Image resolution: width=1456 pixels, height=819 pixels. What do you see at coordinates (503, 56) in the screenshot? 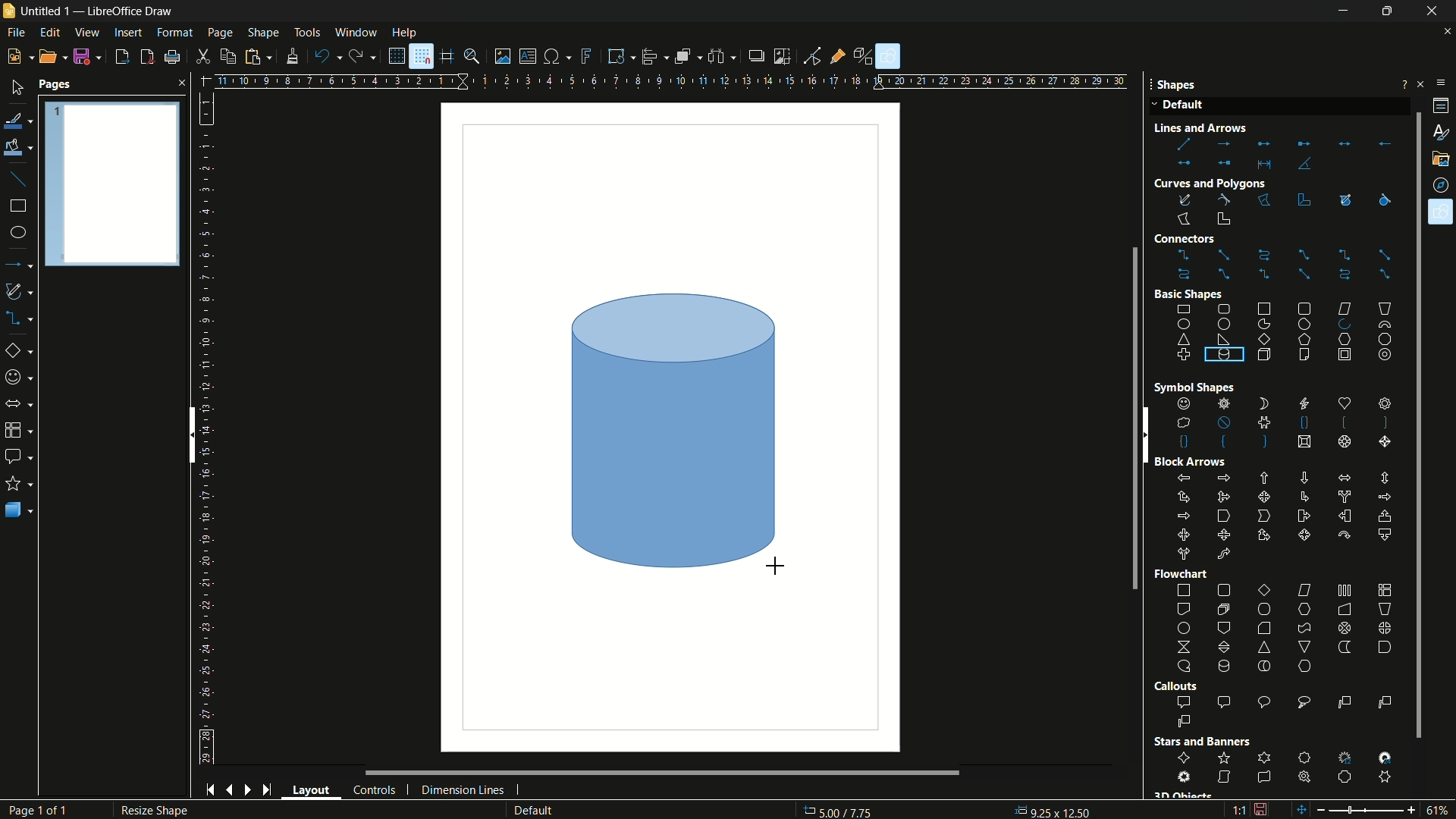
I see `insert image` at bounding box center [503, 56].